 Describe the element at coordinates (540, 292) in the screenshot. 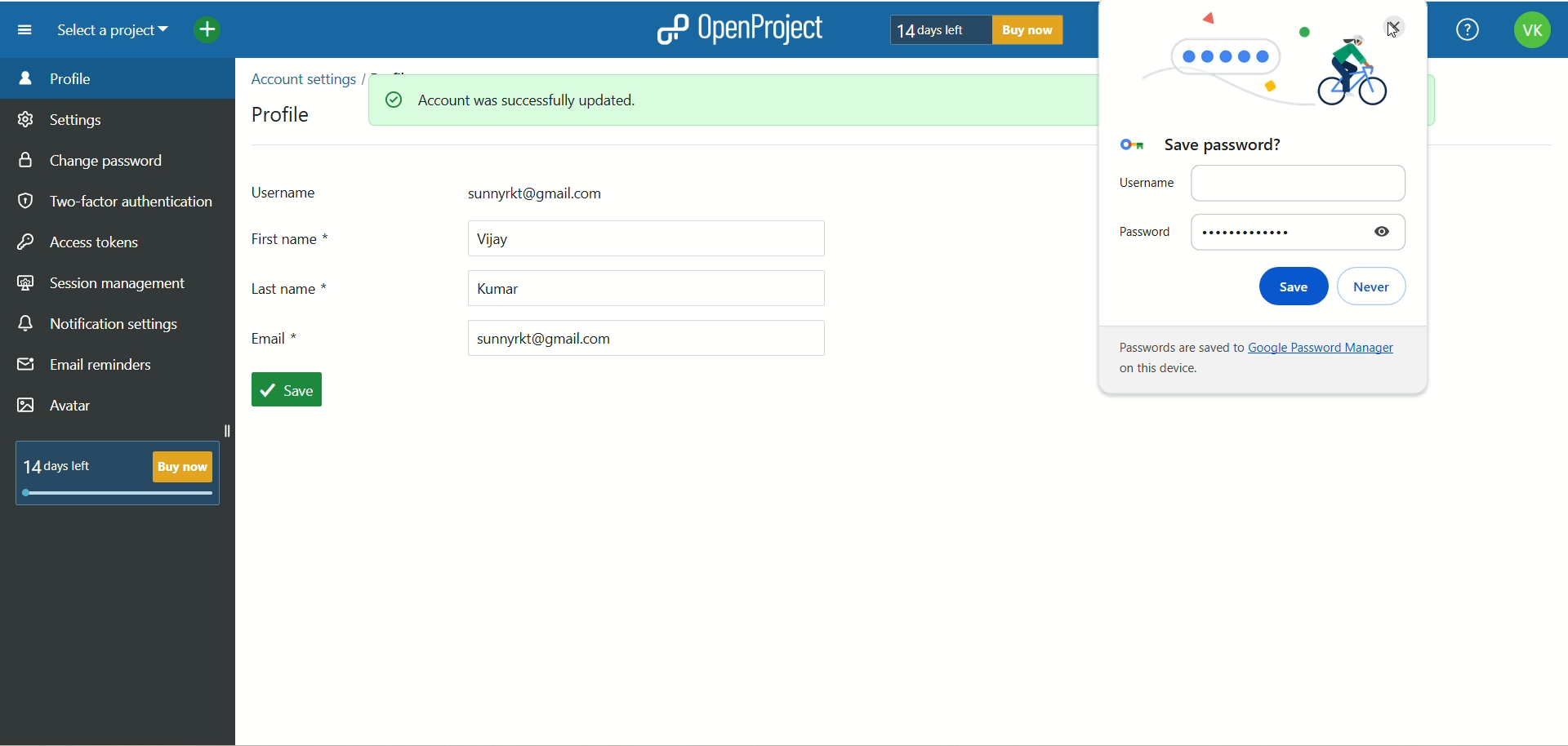

I see `last name` at that location.